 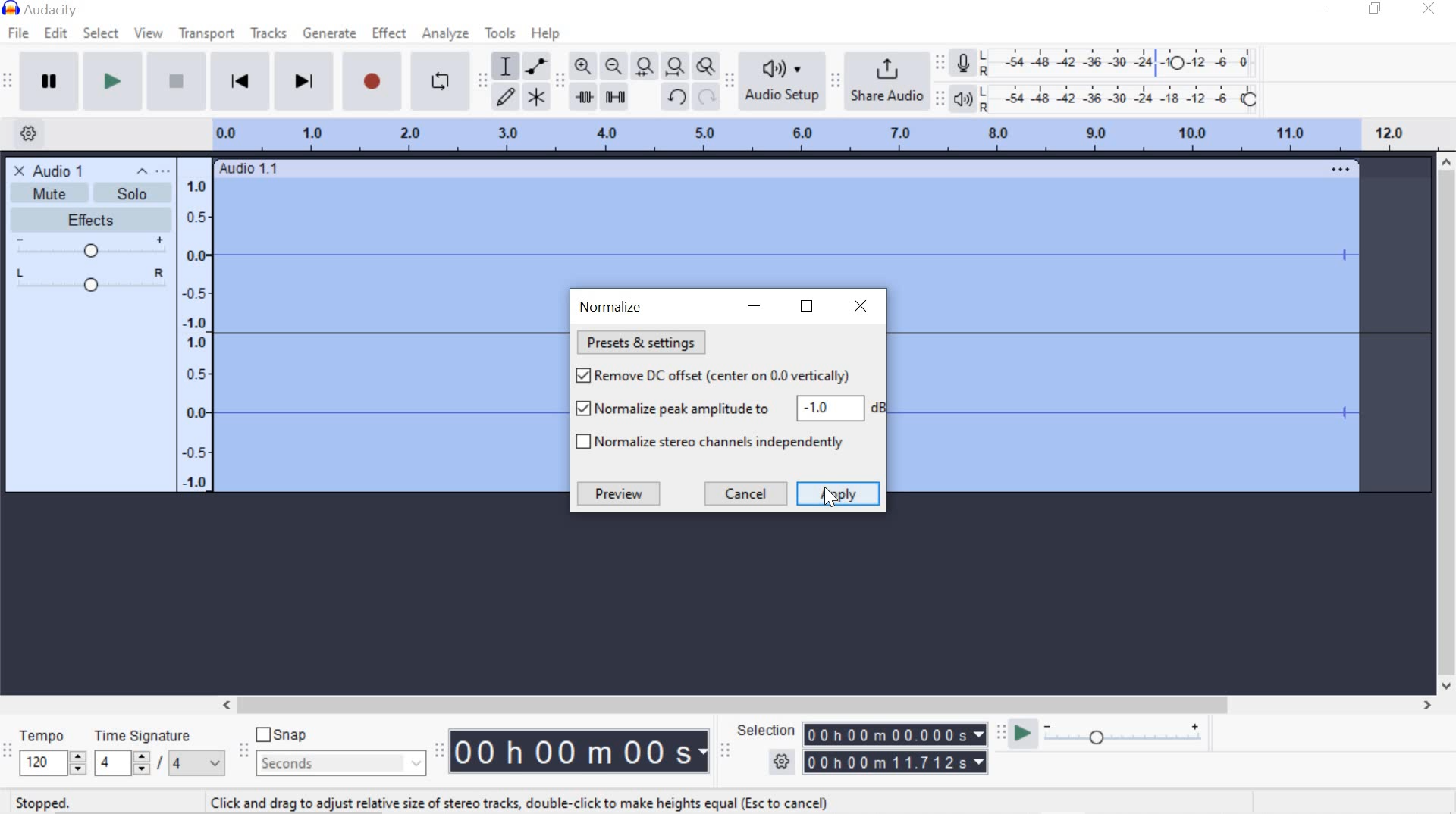 I want to click on Menu, so click(x=197, y=324).